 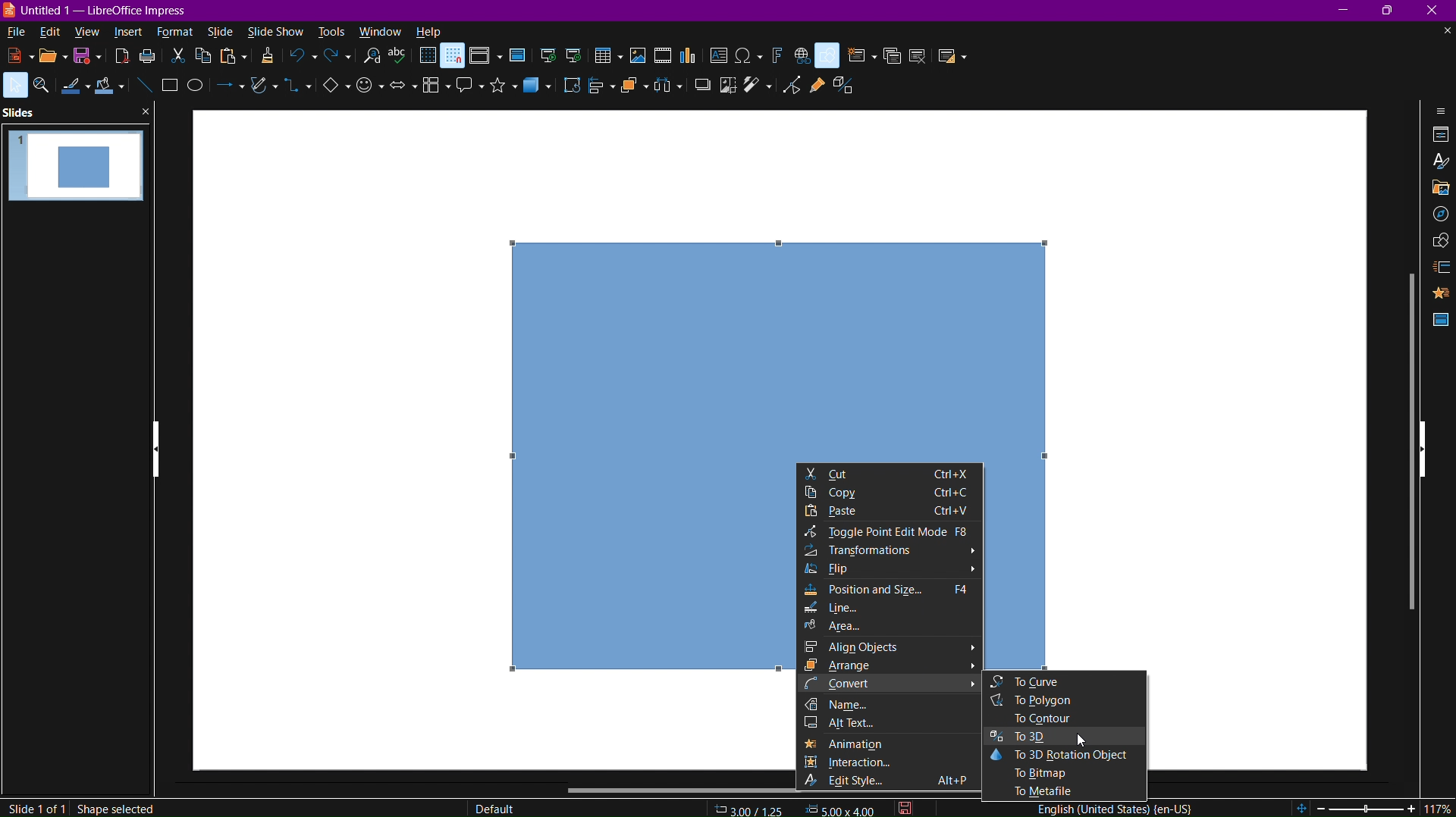 What do you see at coordinates (131, 32) in the screenshot?
I see `insert` at bounding box center [131, 32].